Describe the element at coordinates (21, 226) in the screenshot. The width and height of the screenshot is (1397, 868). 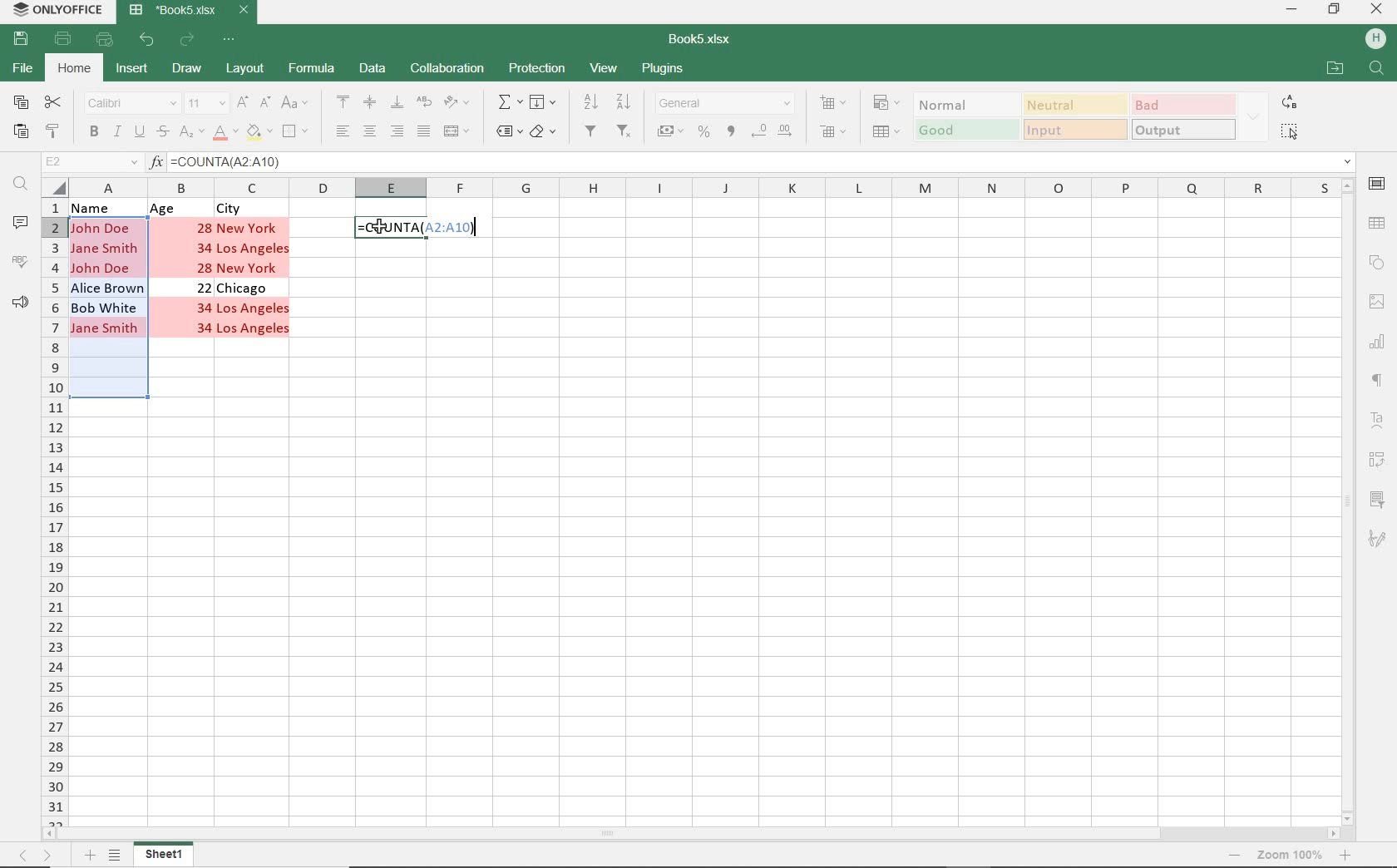
I see `COMMENTS` at that location.